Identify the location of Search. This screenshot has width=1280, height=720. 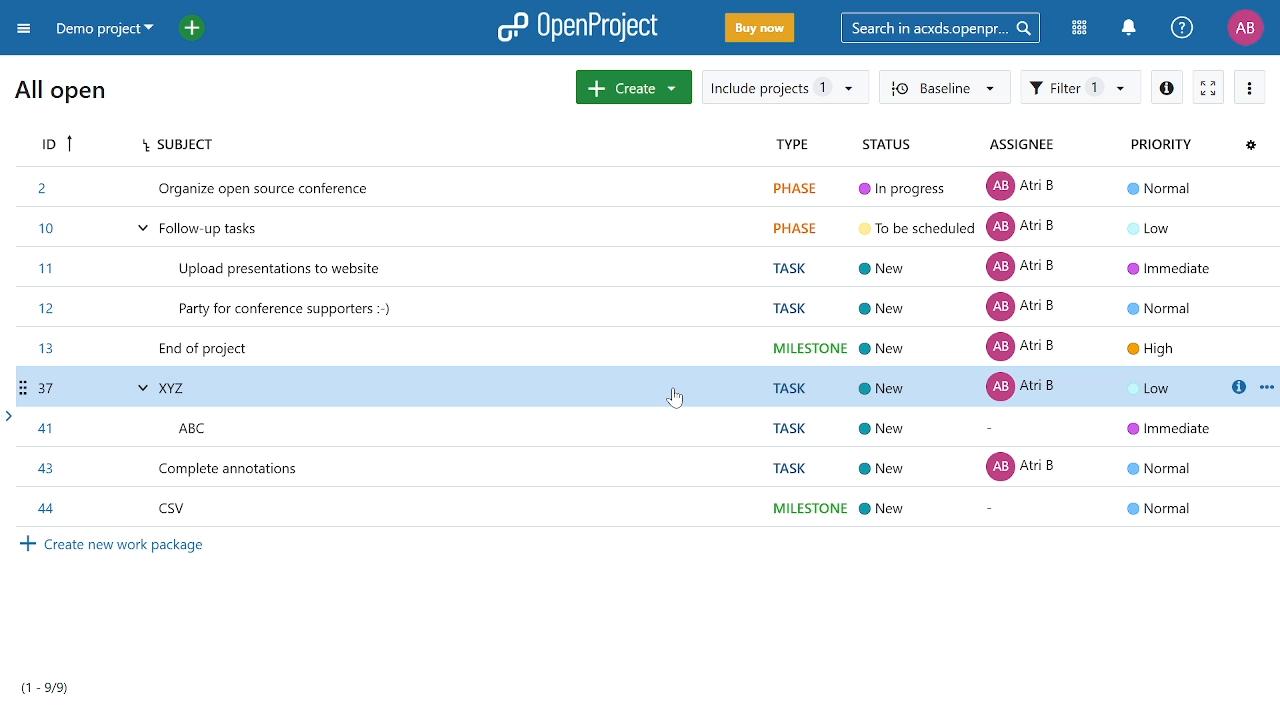
(940, 27).